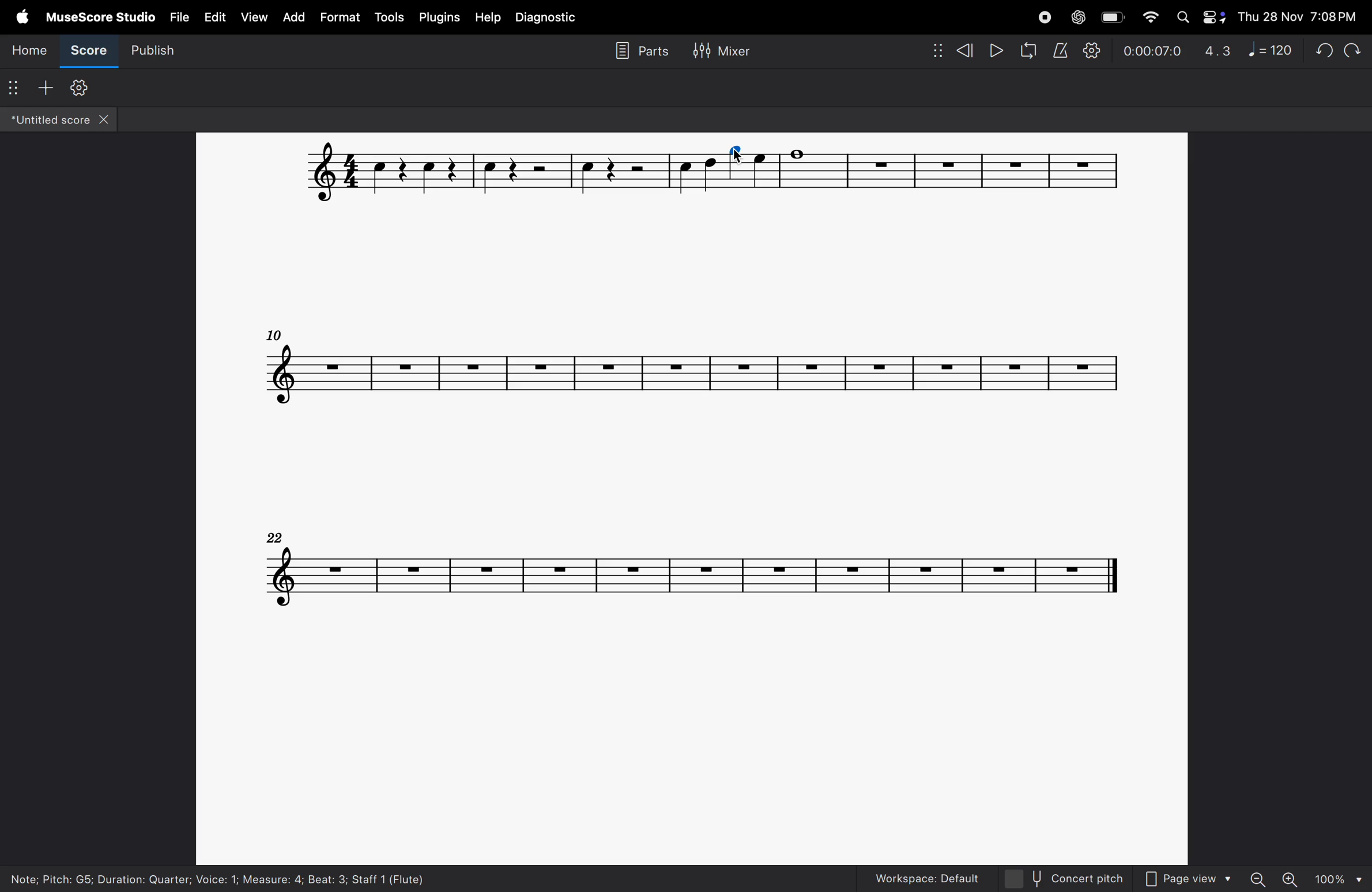  What do you see at coordinates (254, 16) in the screenshot?
I see `view` at bounding box center [254, 16].